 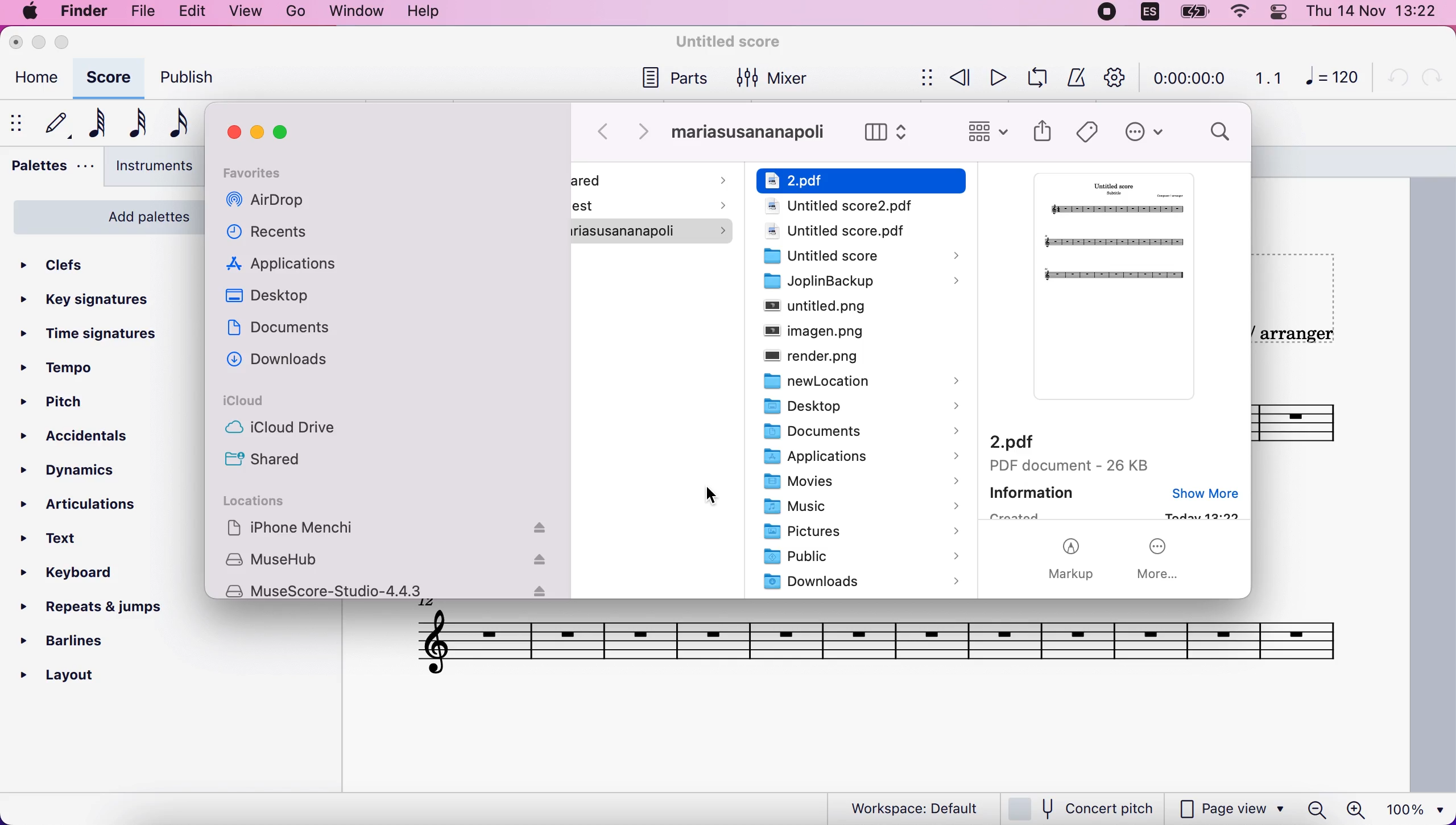 What do you see at coordinates (988, 132) in the screenshot?
I see `show items as a group` at bounding box center [988, 132].